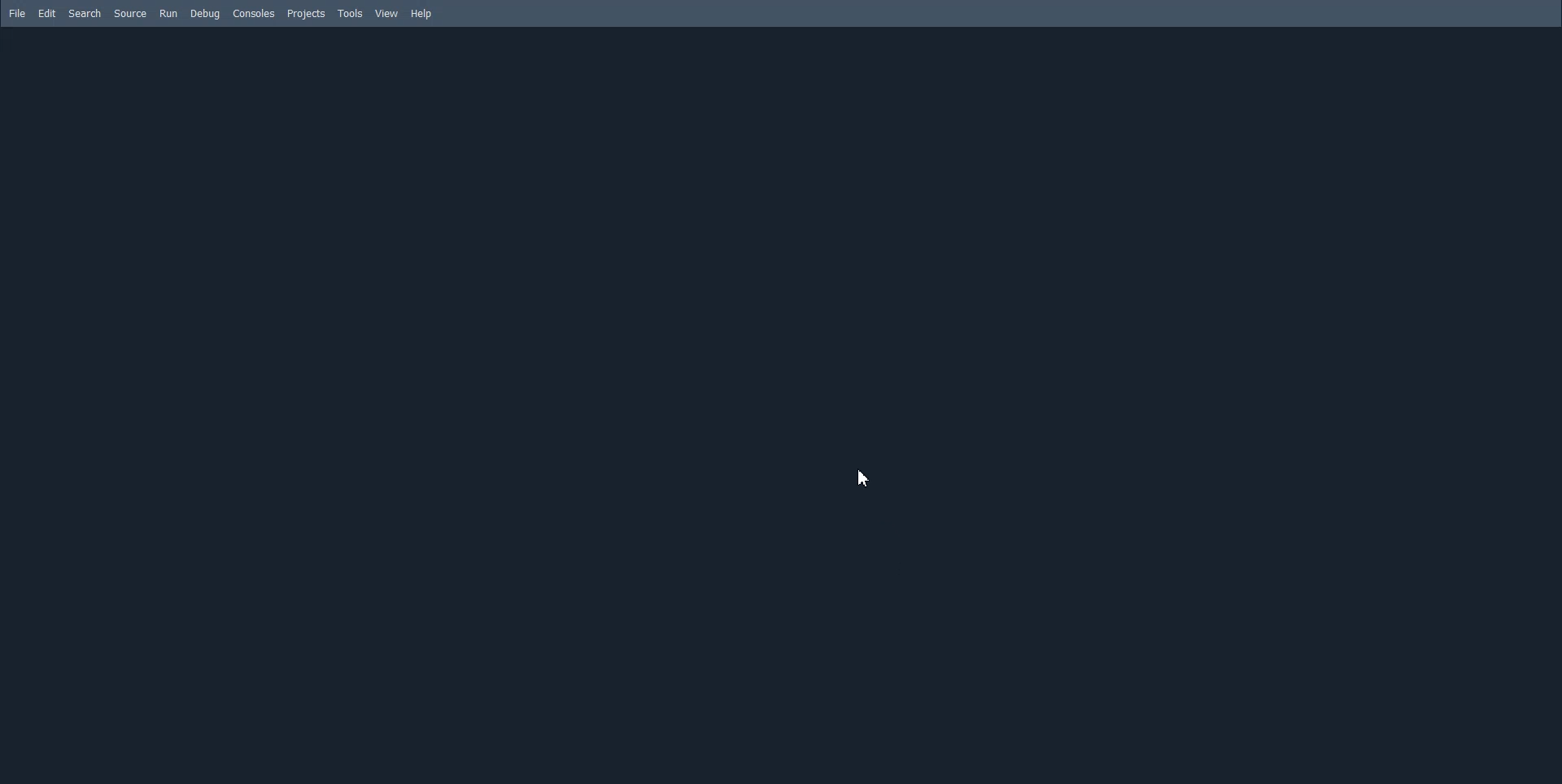 This screenshot has width=1562, height=784. Describe the element at coordinates (85, 13) in the screenshot. I see `Search` at that location.